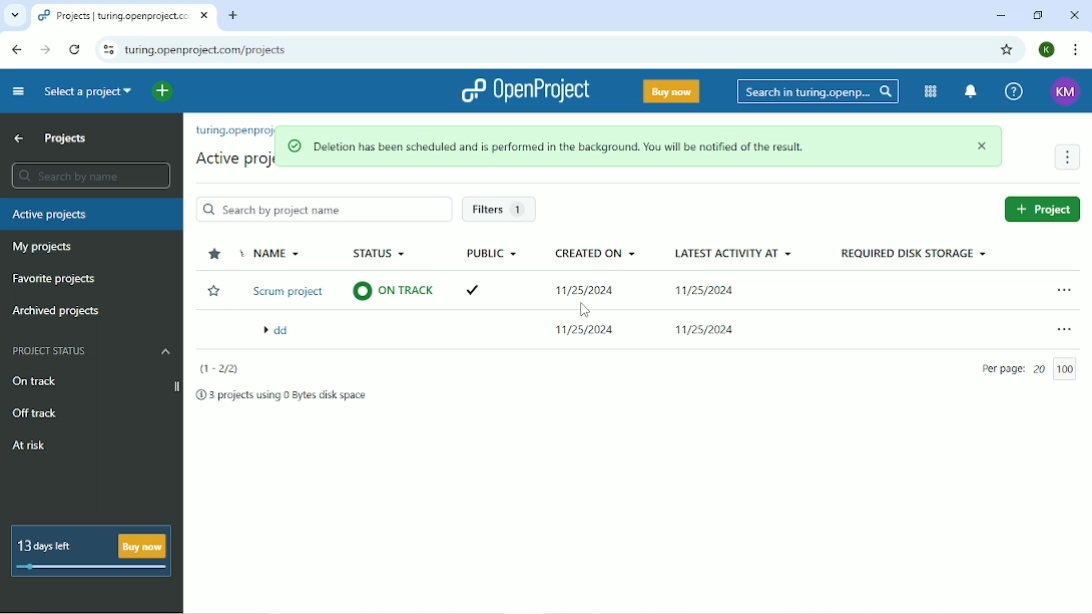 The height and width of the screenshot is (614, 1092). Describe the element at coordinates (1040, 208) in the screenshot. I see `New project` at that location.